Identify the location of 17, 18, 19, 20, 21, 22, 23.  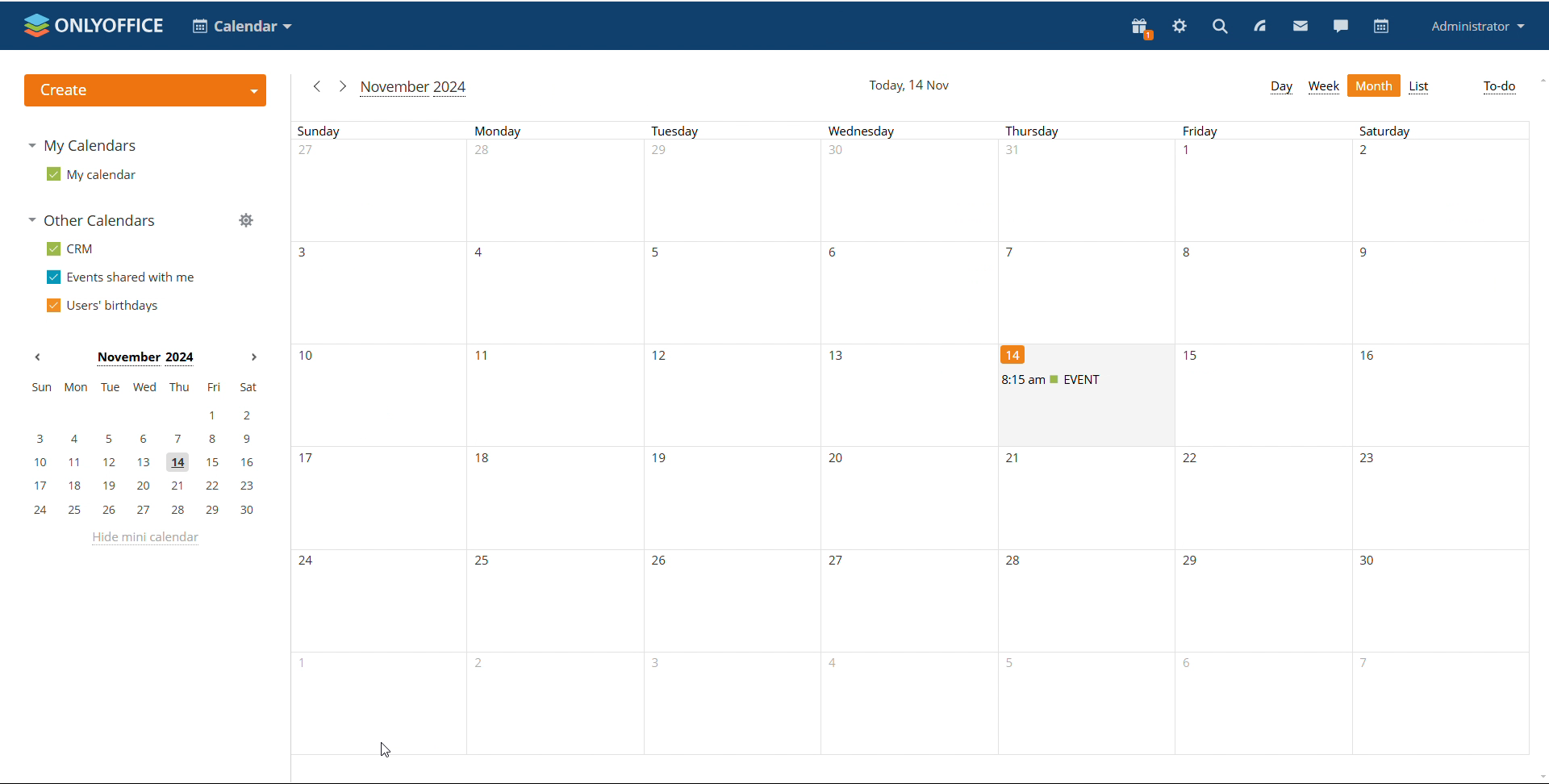
(144, 486).